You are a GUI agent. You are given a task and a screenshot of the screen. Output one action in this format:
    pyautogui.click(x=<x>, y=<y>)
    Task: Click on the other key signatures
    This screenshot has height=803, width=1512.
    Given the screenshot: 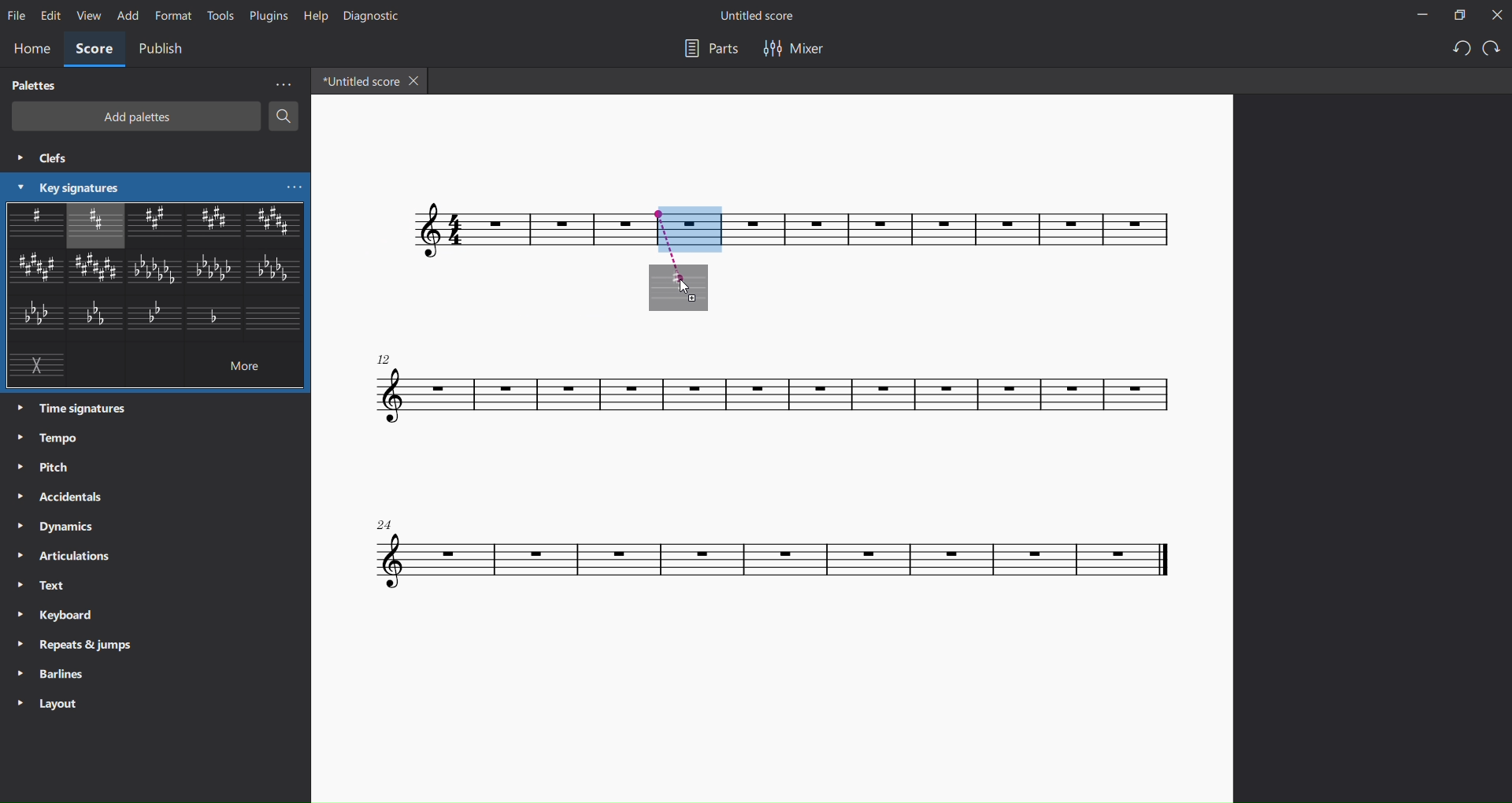 What is the action you would take?
    pyautogui.click(x=157, y=228)
    